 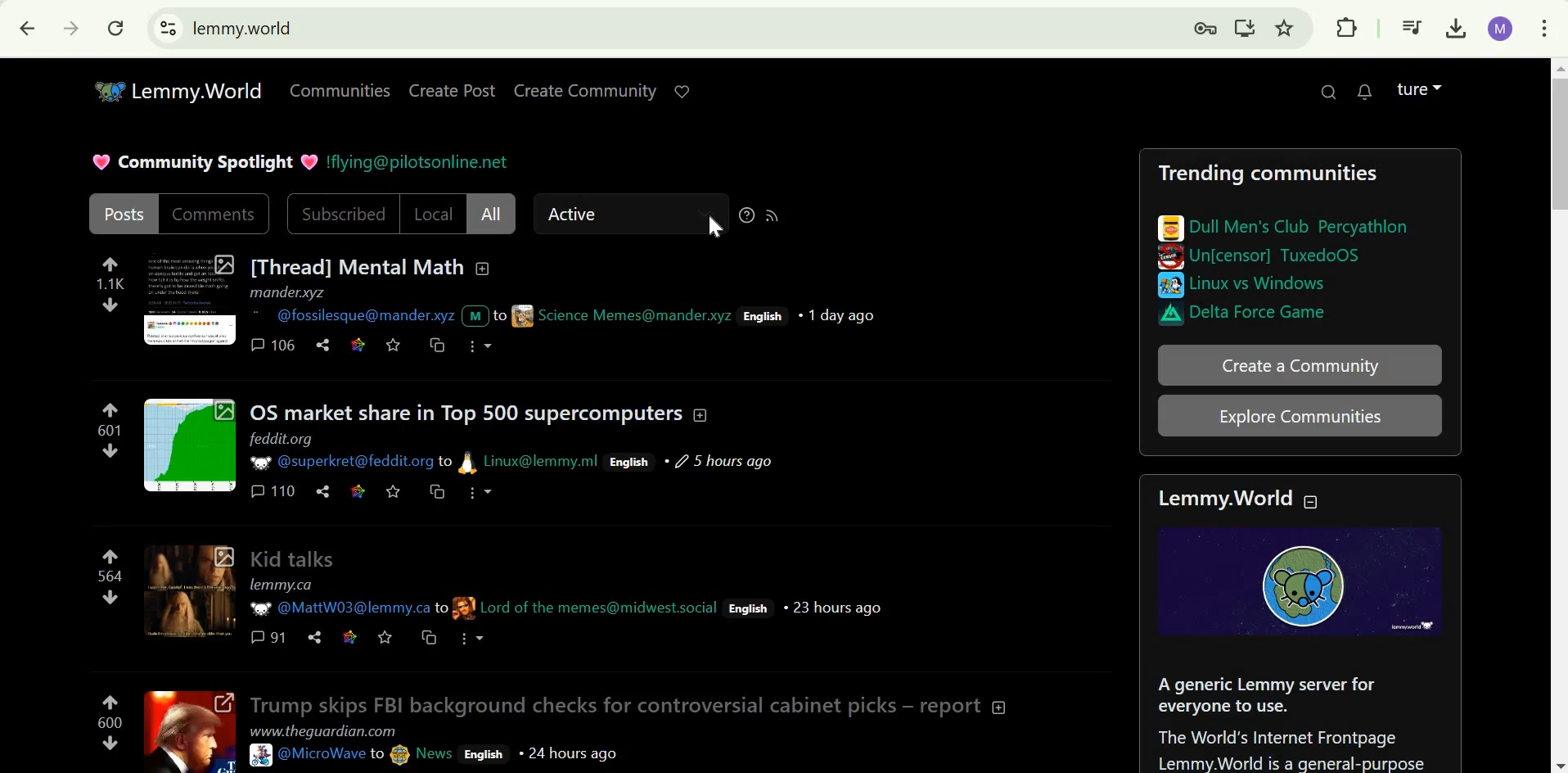 What do you see at coordinates (702, 414) in the screenshot?
I see `collapse` at bounding box center [702, 414].